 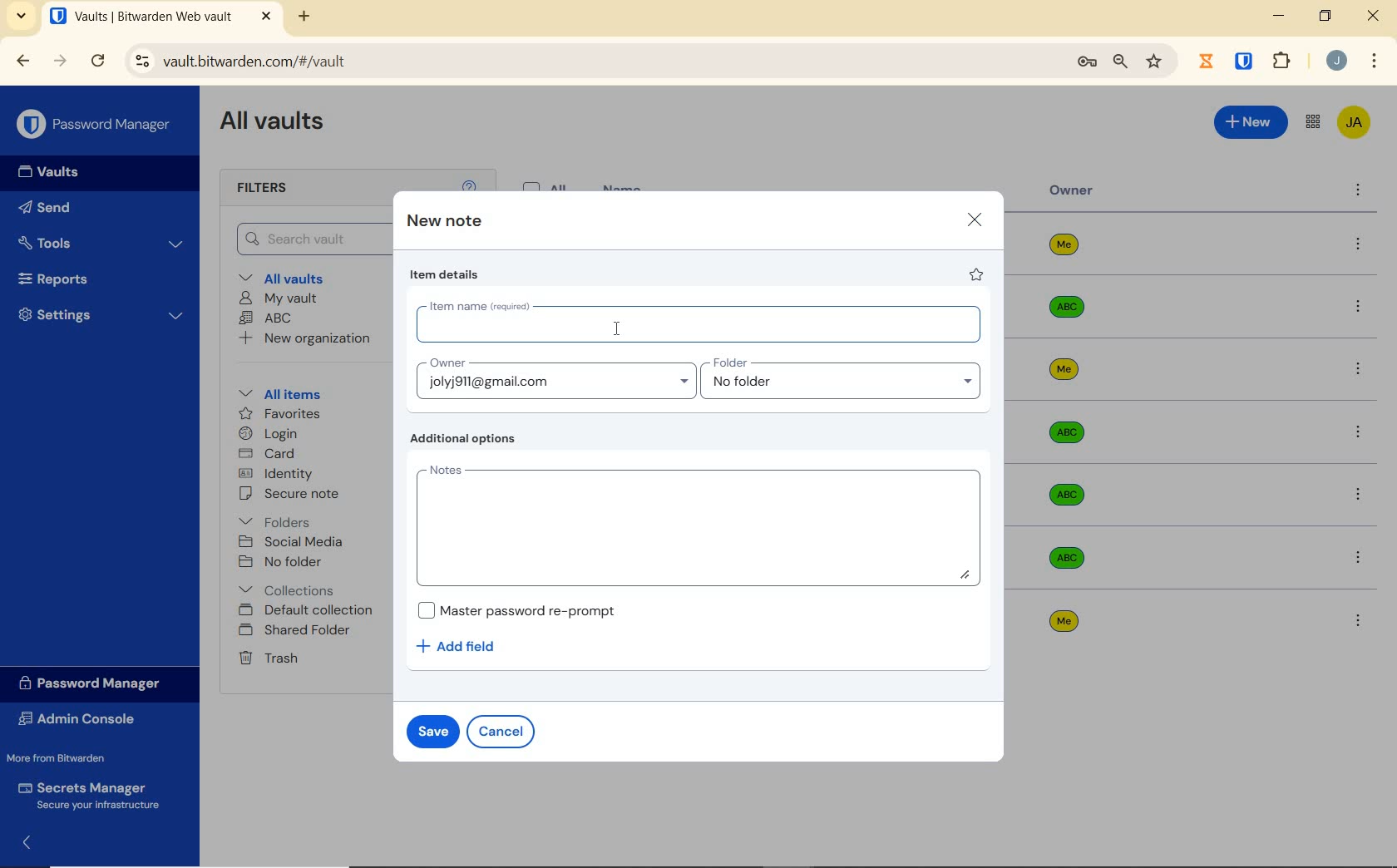 What do you see at coordinates (279, 126) in the screenshot?
I see `All Vaults` at bounding box center [279, 126].